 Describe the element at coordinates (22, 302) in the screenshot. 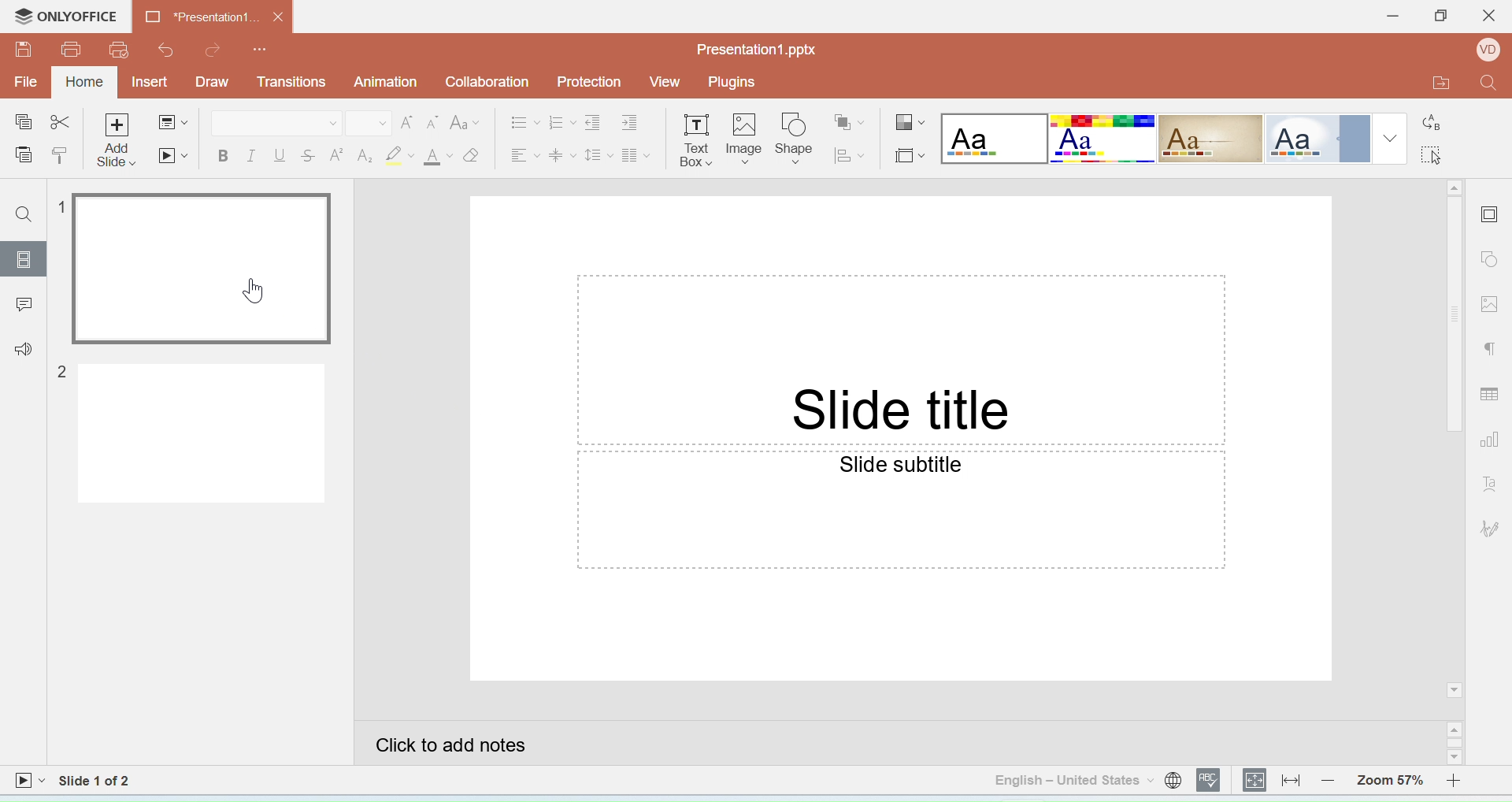

I see `Comments` at that location.